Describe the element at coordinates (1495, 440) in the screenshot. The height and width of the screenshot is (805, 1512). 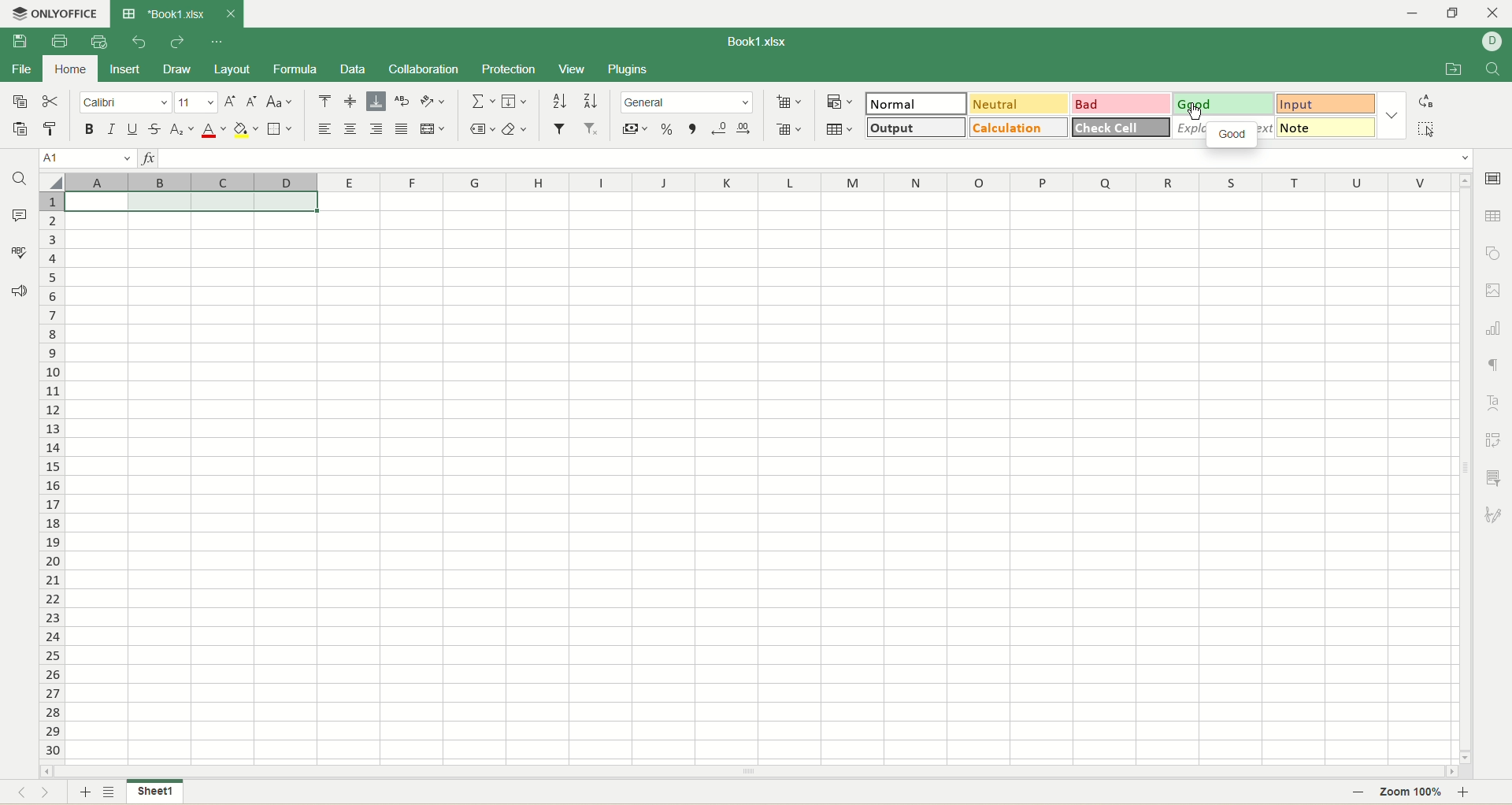
I see `pivot settings` at that location.